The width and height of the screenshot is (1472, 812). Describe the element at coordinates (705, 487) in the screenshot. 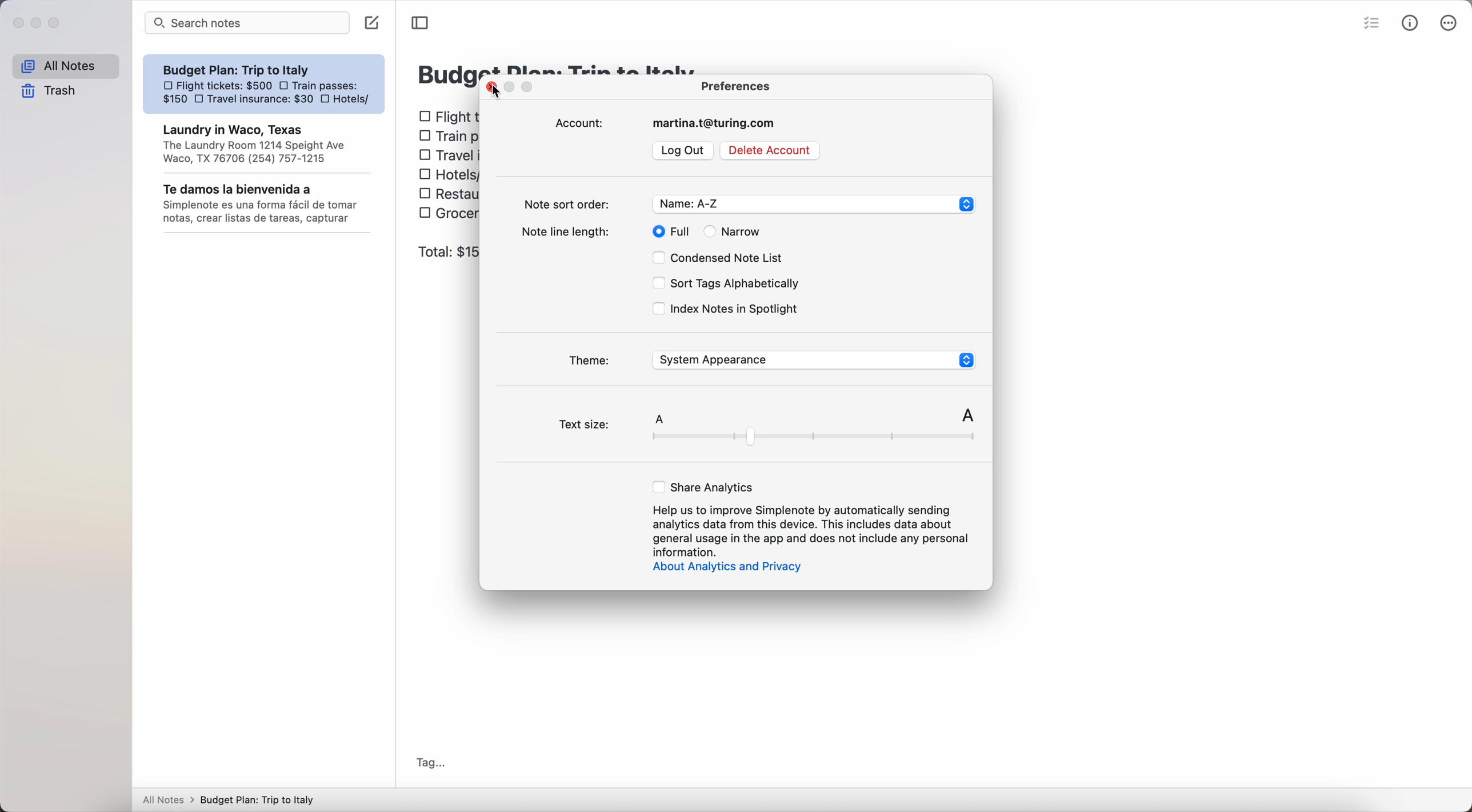

I see `share analytics` at that location.